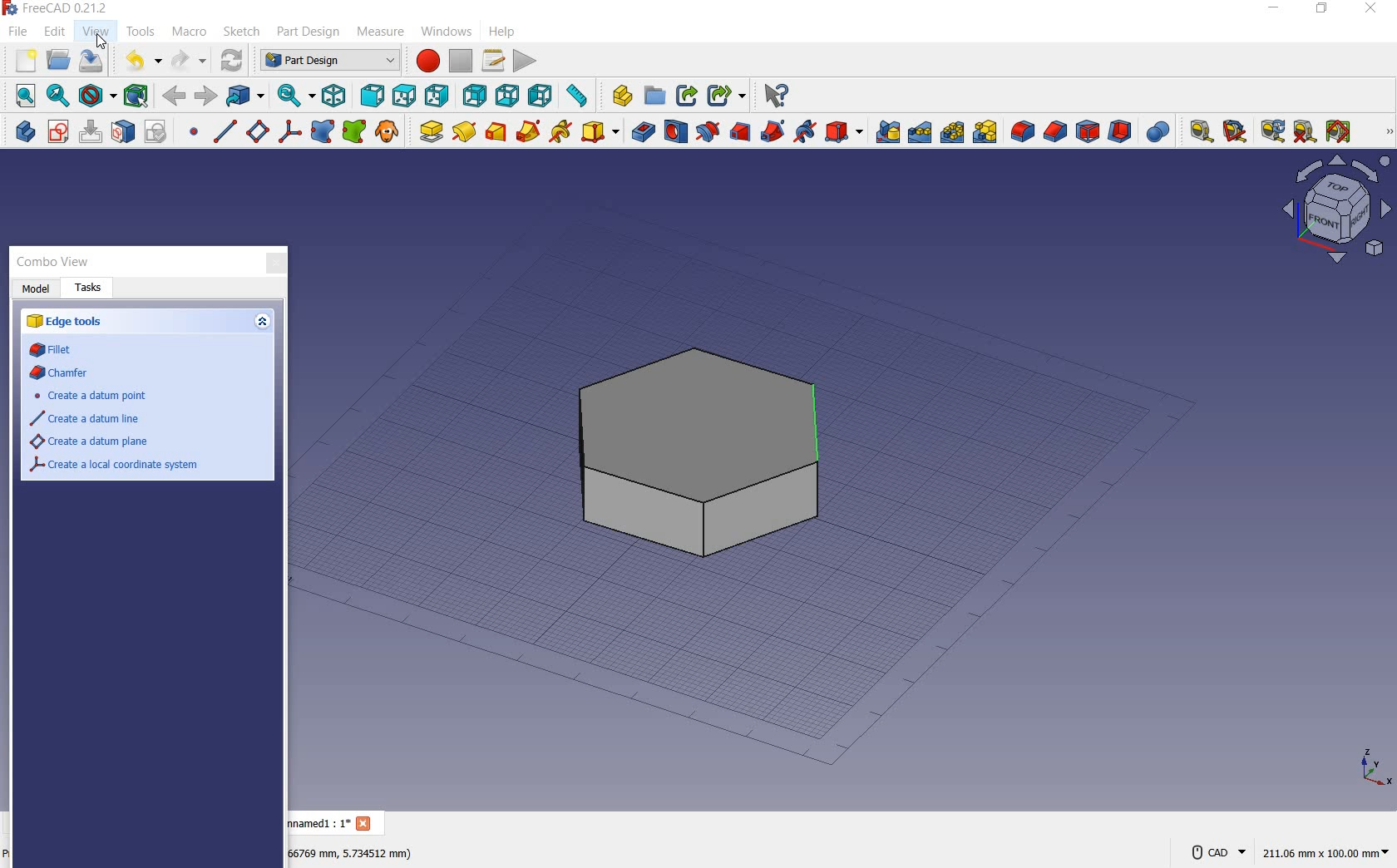 The height and width of the screenshot is (868, 1397). What do you see at coordinates (289, 134) in the screenshot?
I see `create a local coordinate system` at bounding box center [289, 134].